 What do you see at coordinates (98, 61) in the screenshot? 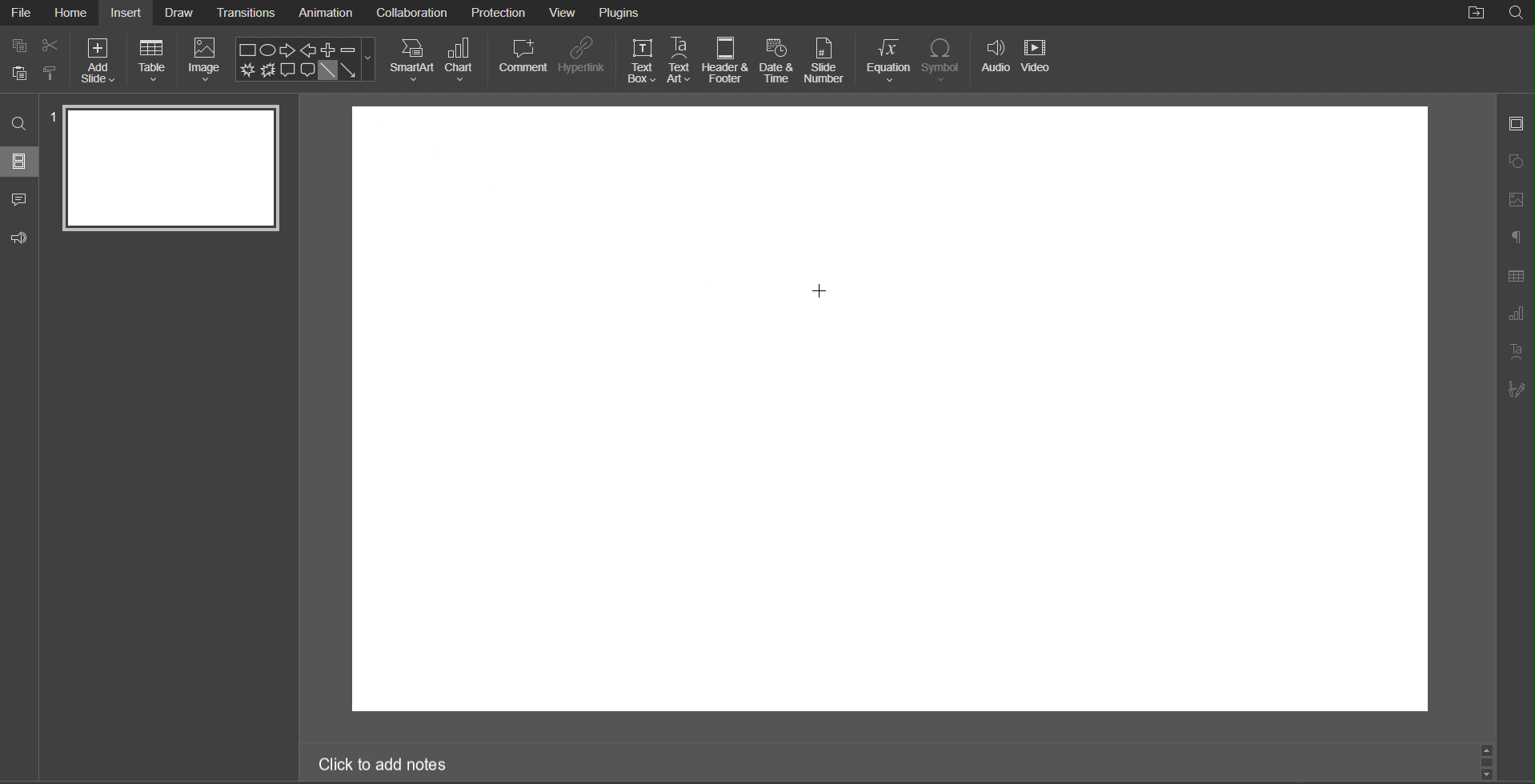
I see `Add Slide` at bounding box center [98, 61].